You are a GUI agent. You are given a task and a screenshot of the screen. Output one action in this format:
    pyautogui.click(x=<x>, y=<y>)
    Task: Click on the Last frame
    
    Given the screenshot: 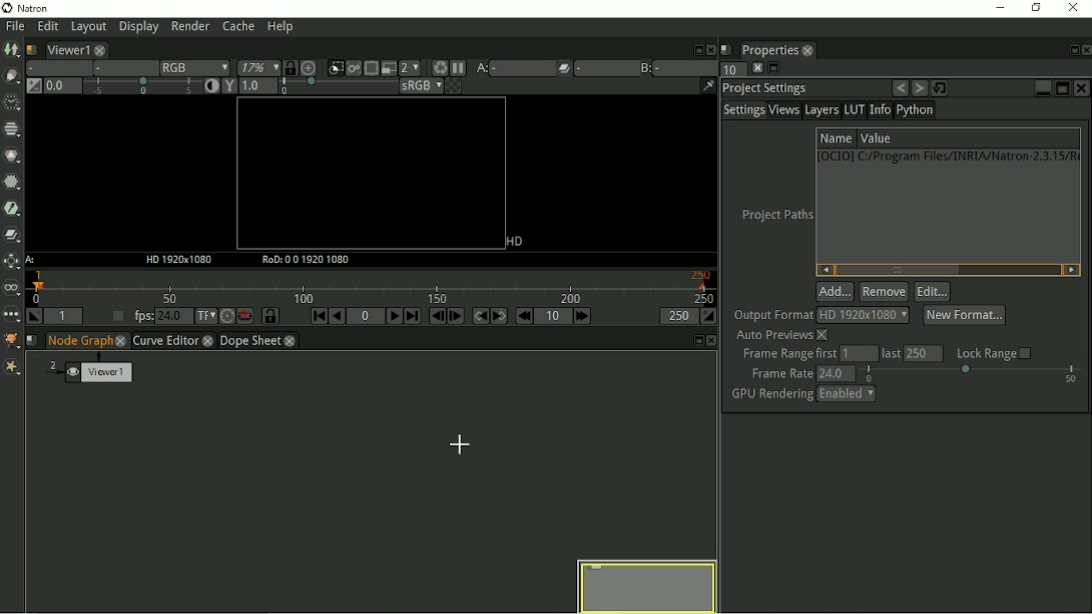 What is the action you would take?
    pyautogui.click(x=413, y=317)
    